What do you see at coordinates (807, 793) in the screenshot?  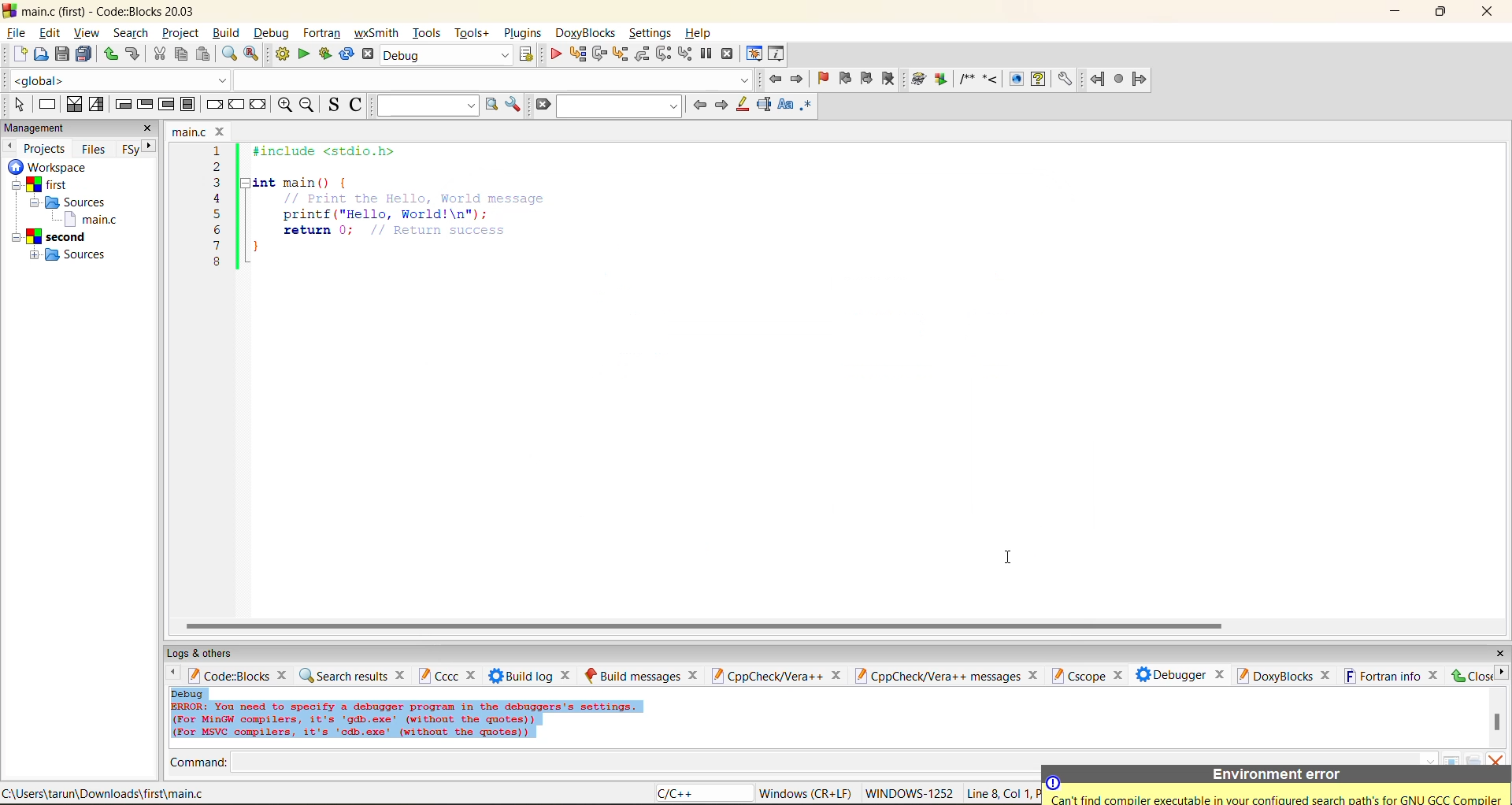 I see `Windows (CR+LF)` at bounding box center [807, 793].